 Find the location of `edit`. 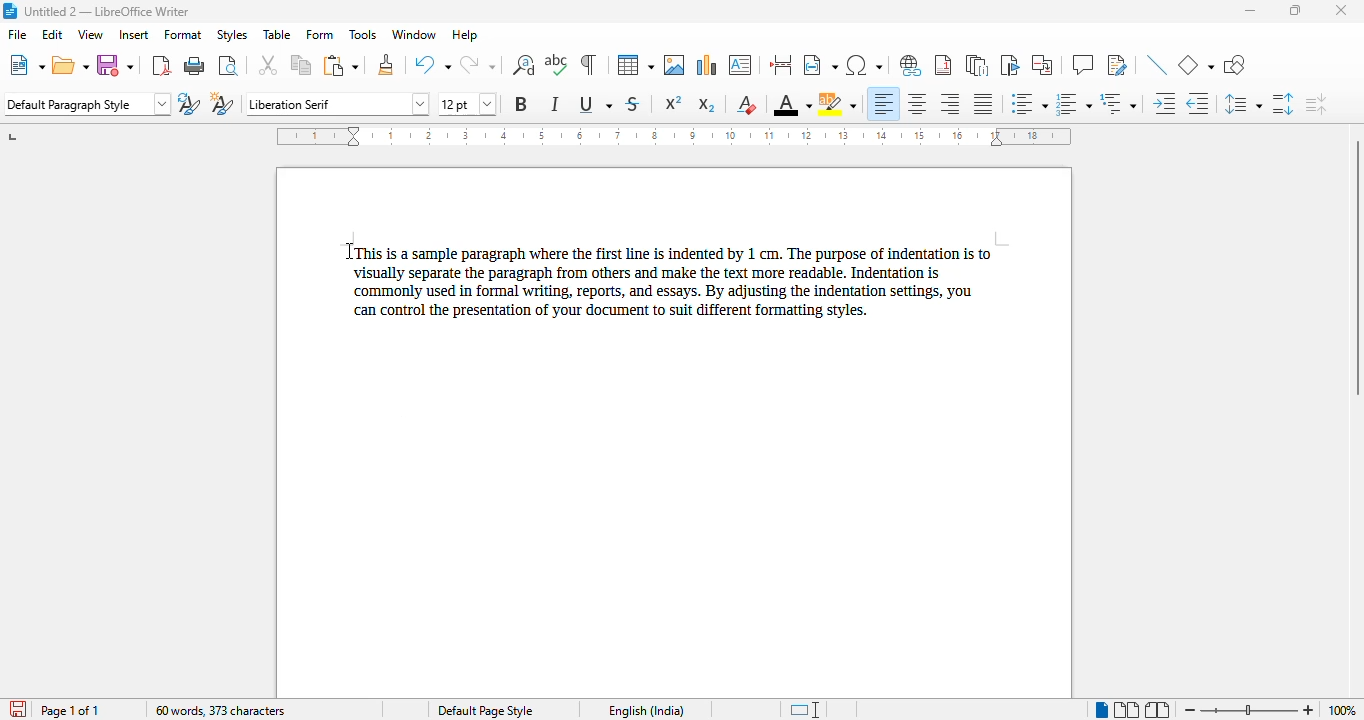

edit is located at coordinates (53, 34).